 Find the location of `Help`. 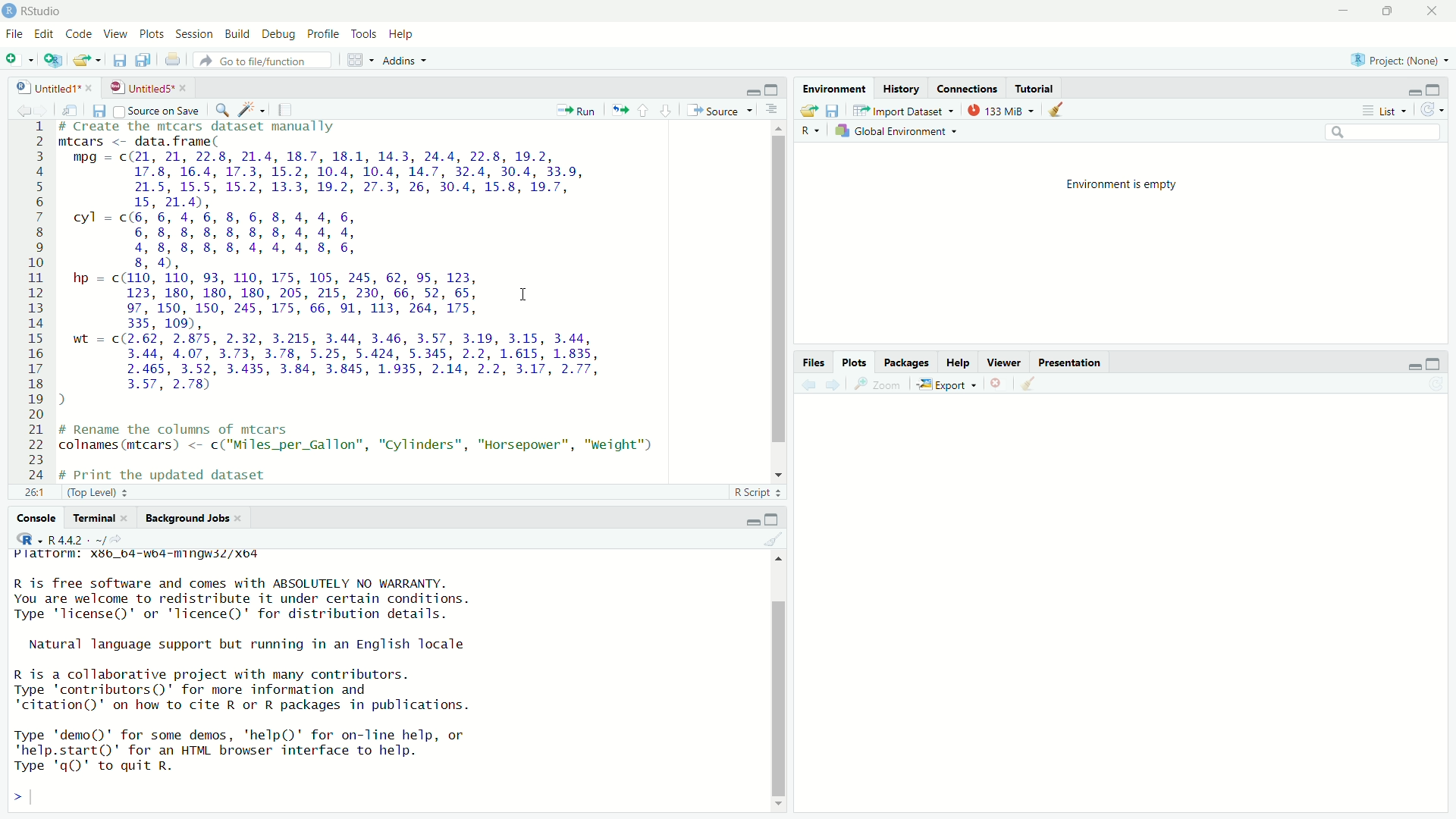

Help is located at coordinates (403, 36).